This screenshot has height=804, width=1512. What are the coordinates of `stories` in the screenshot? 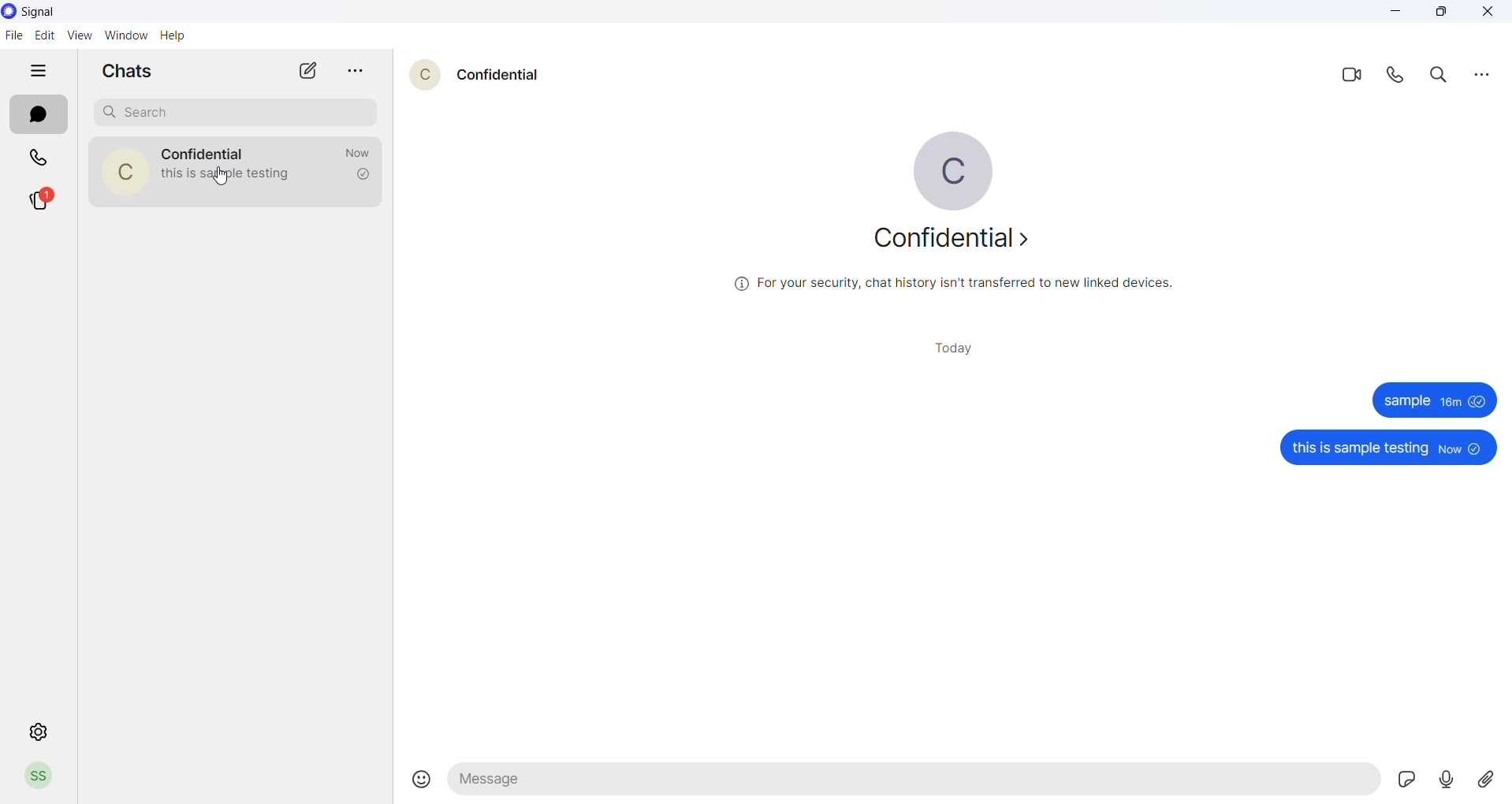 It's located at (39, 200).